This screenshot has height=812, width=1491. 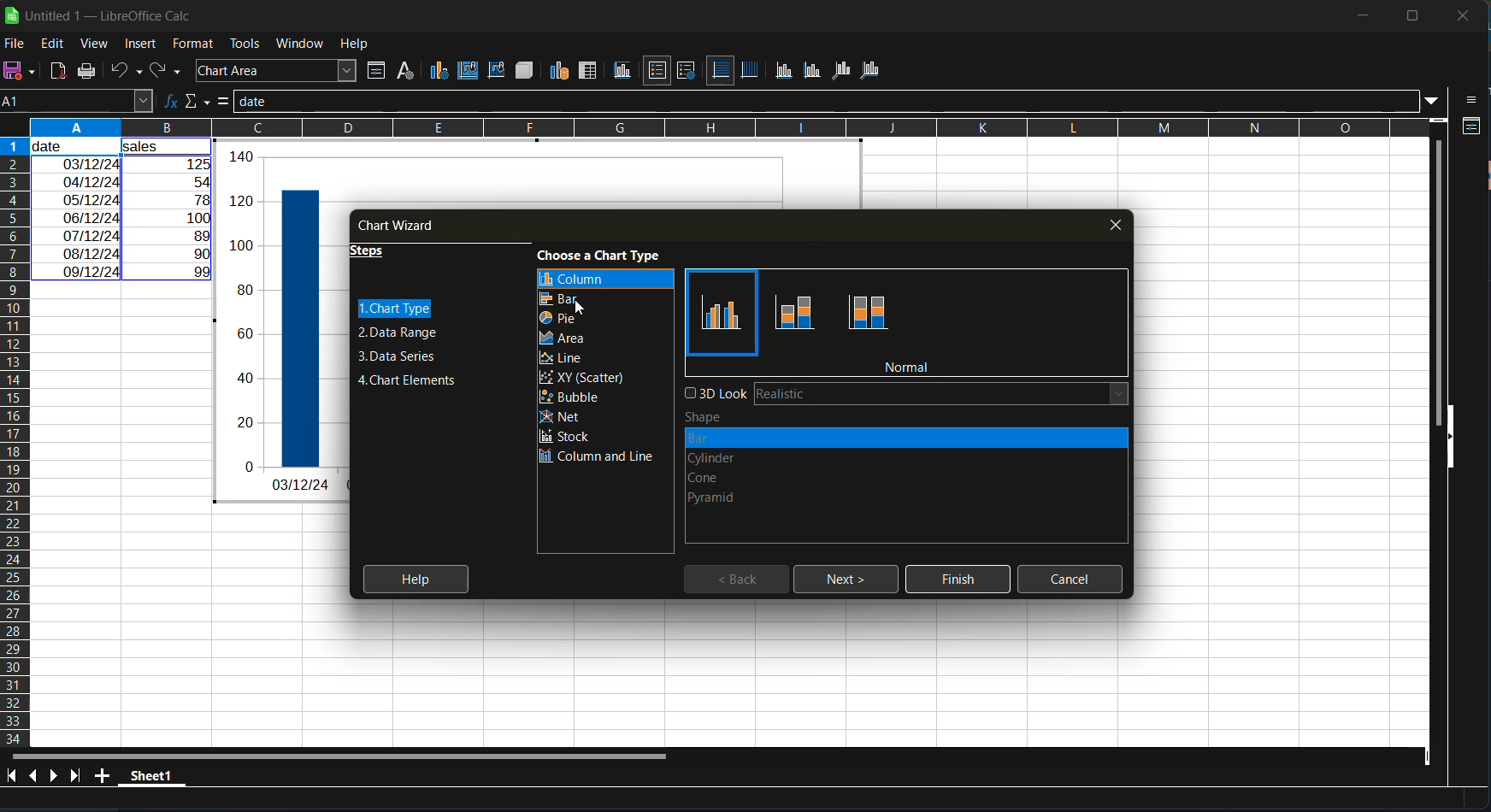 I want to click on export directly as PDF, so click(x=59, y=70).